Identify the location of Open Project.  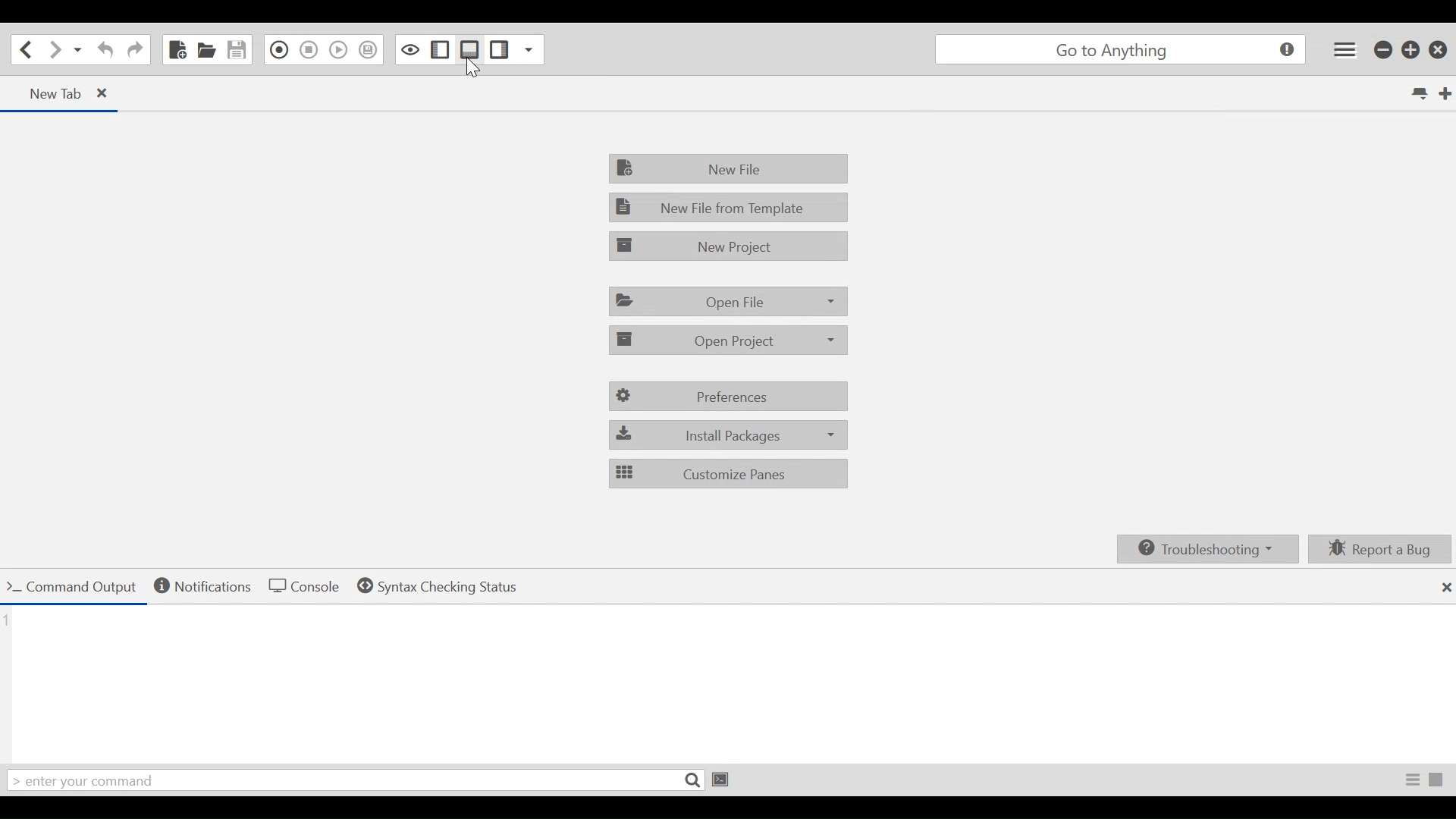
(727, 340).